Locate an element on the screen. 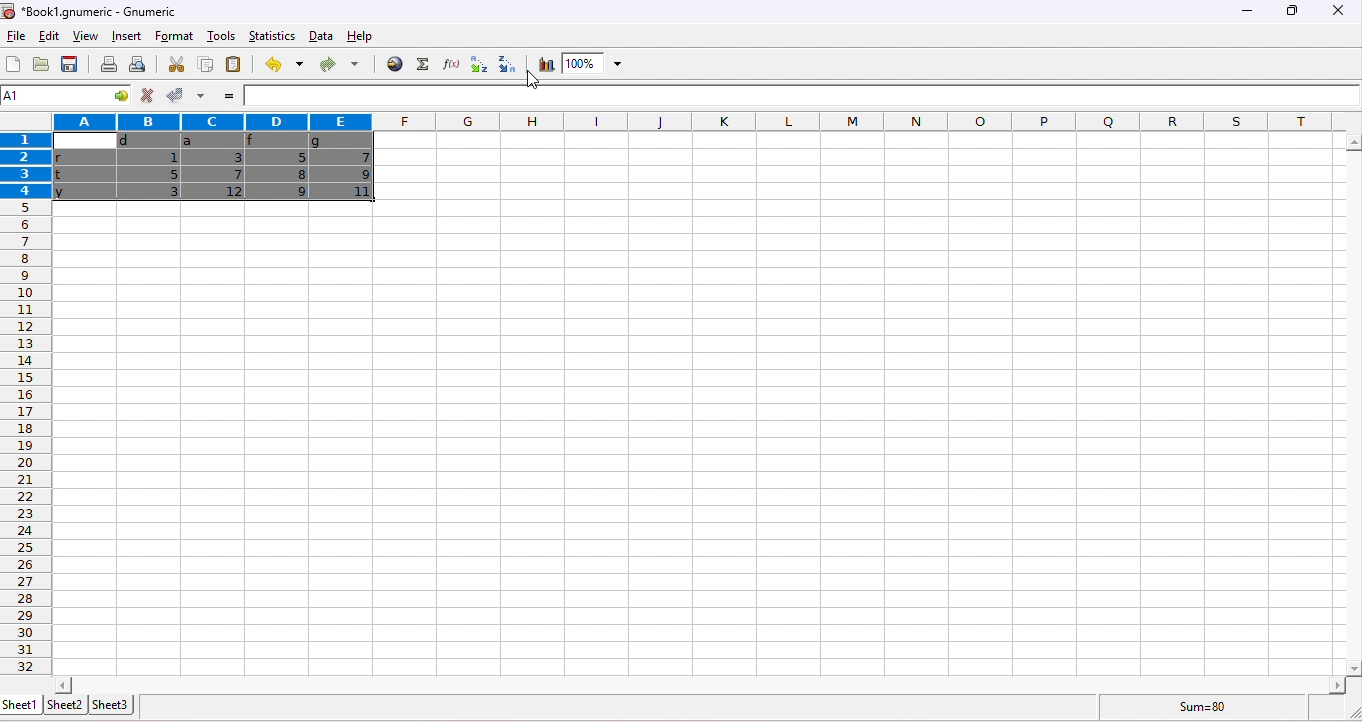  undo is located at coordinates (282, 63).